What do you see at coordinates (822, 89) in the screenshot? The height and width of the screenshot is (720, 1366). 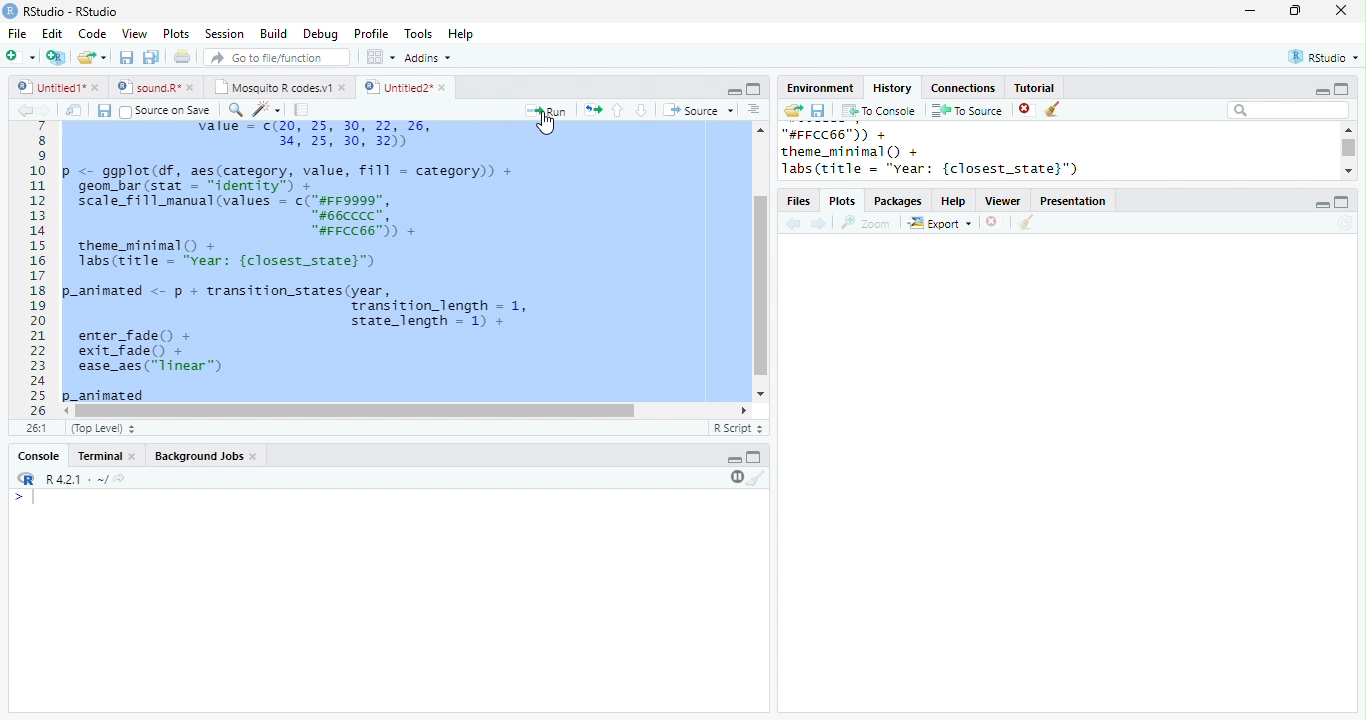 I see `Environment` at bounding box center [822, 89].